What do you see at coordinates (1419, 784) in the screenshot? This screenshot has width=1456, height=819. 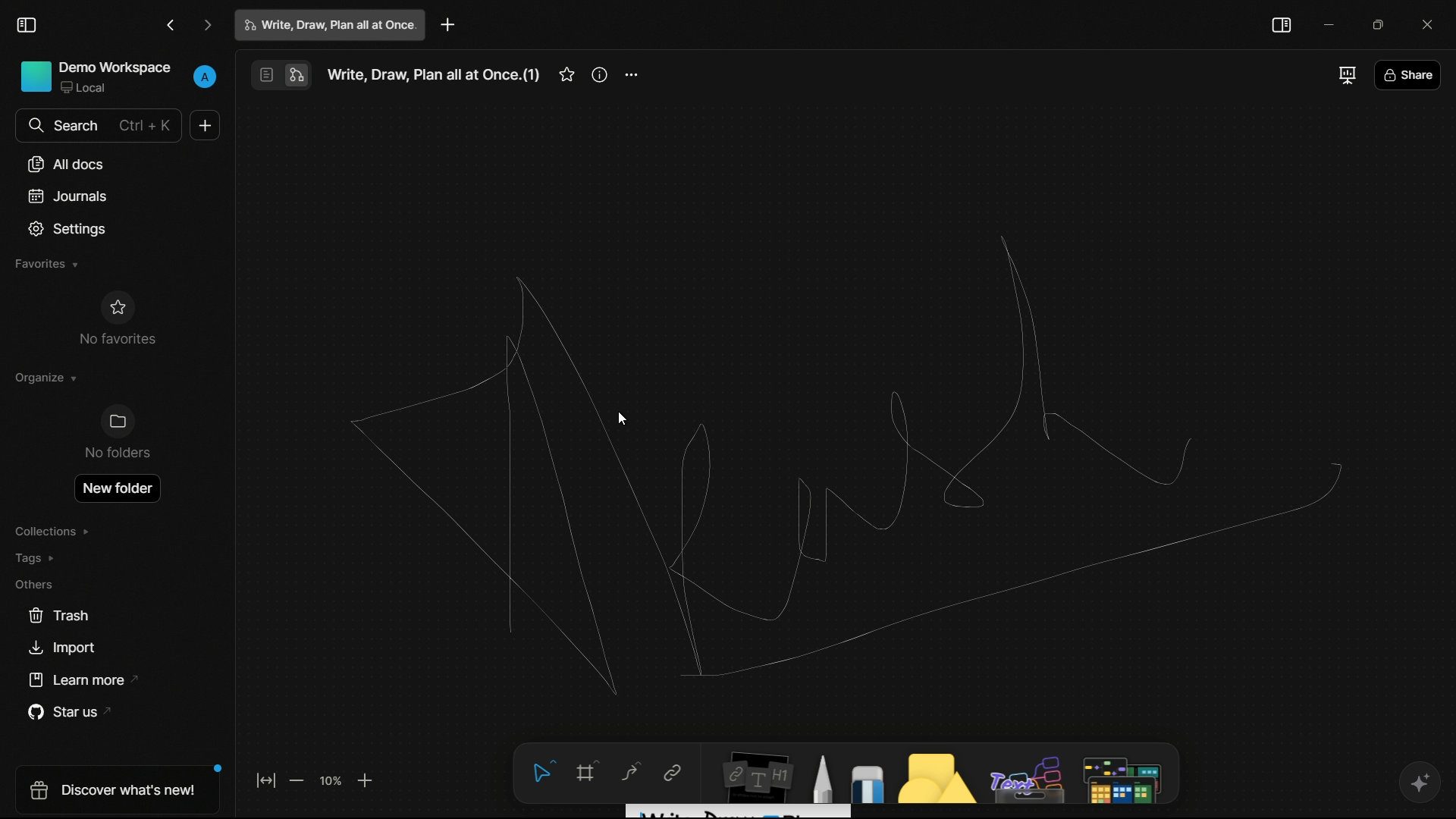 I see `ai support` at bounding box center [1419, 784].